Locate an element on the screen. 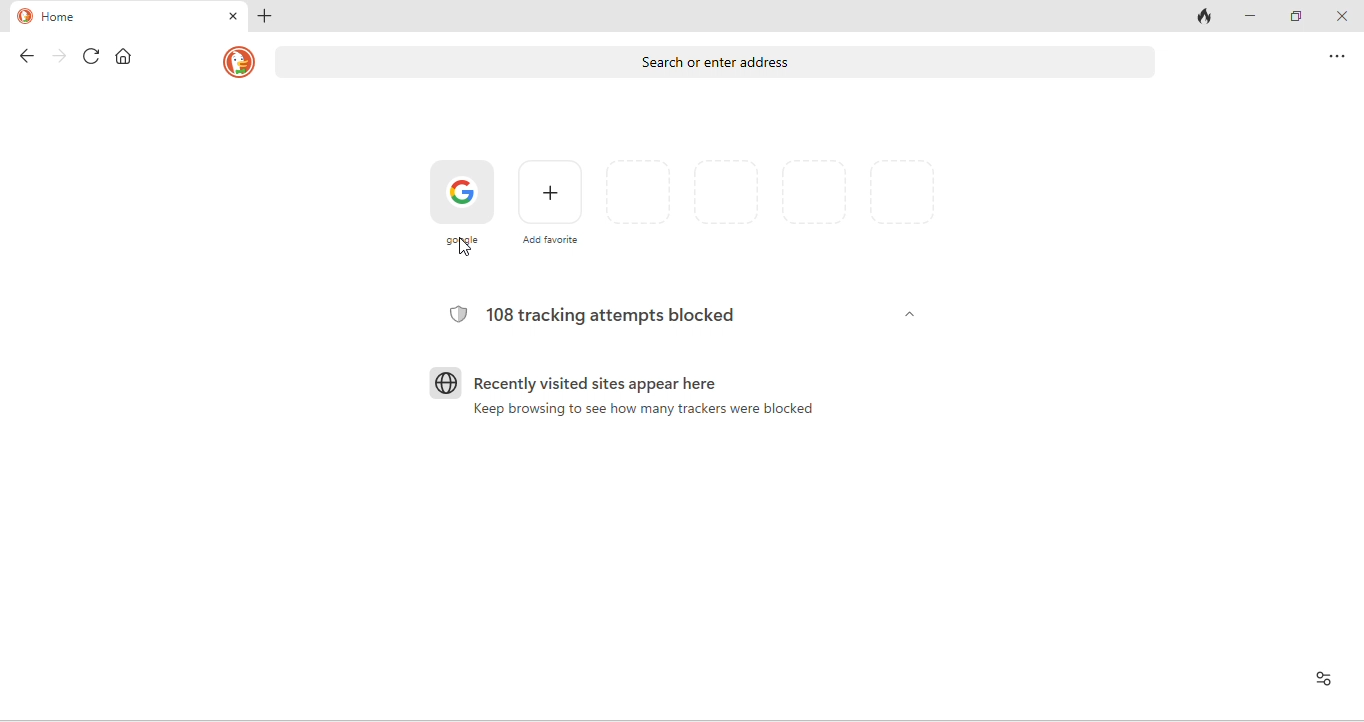  globe icon is located at coordinates (446, 384).